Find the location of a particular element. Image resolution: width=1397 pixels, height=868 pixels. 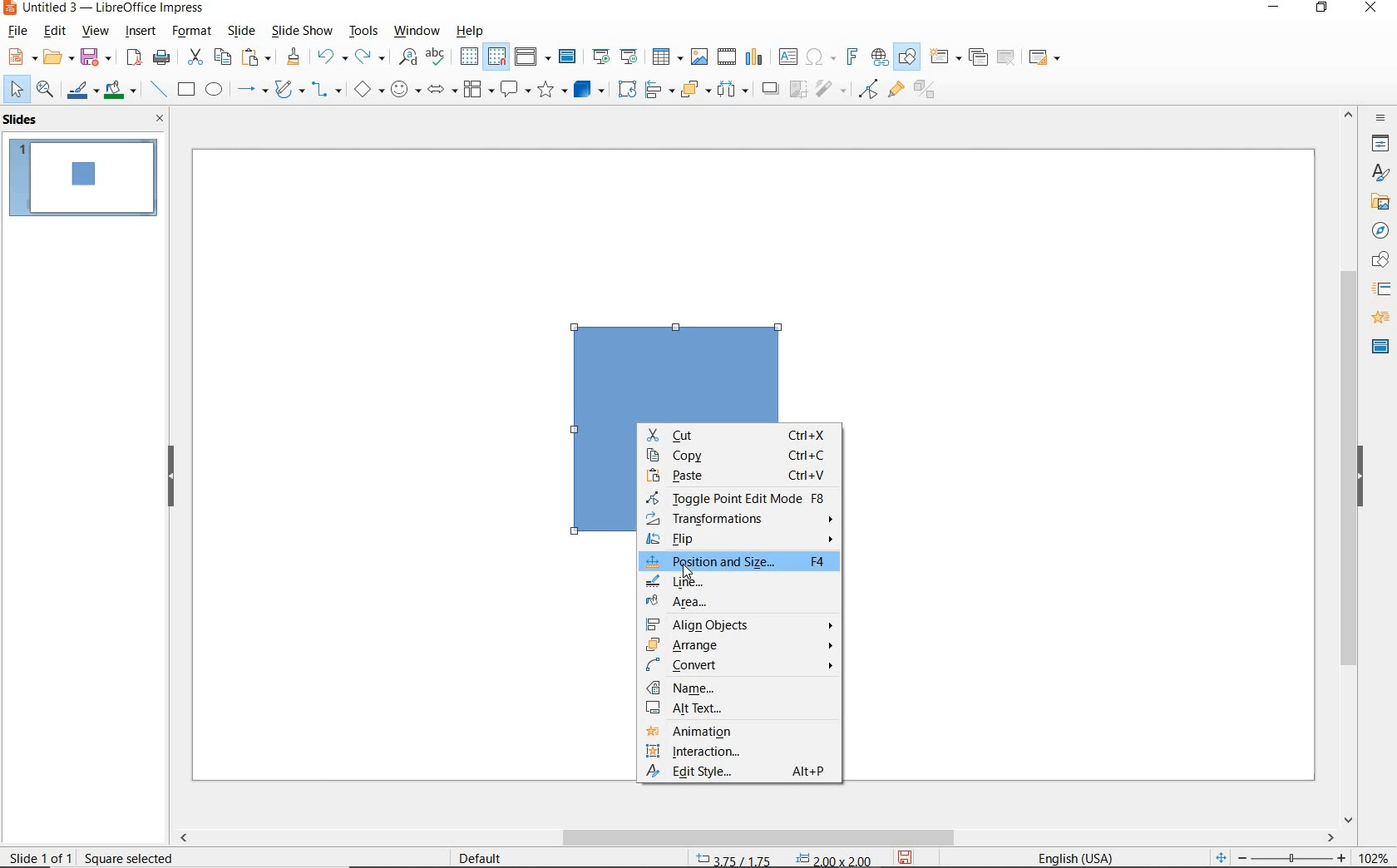

COPY is located at coordinates (735, 456).